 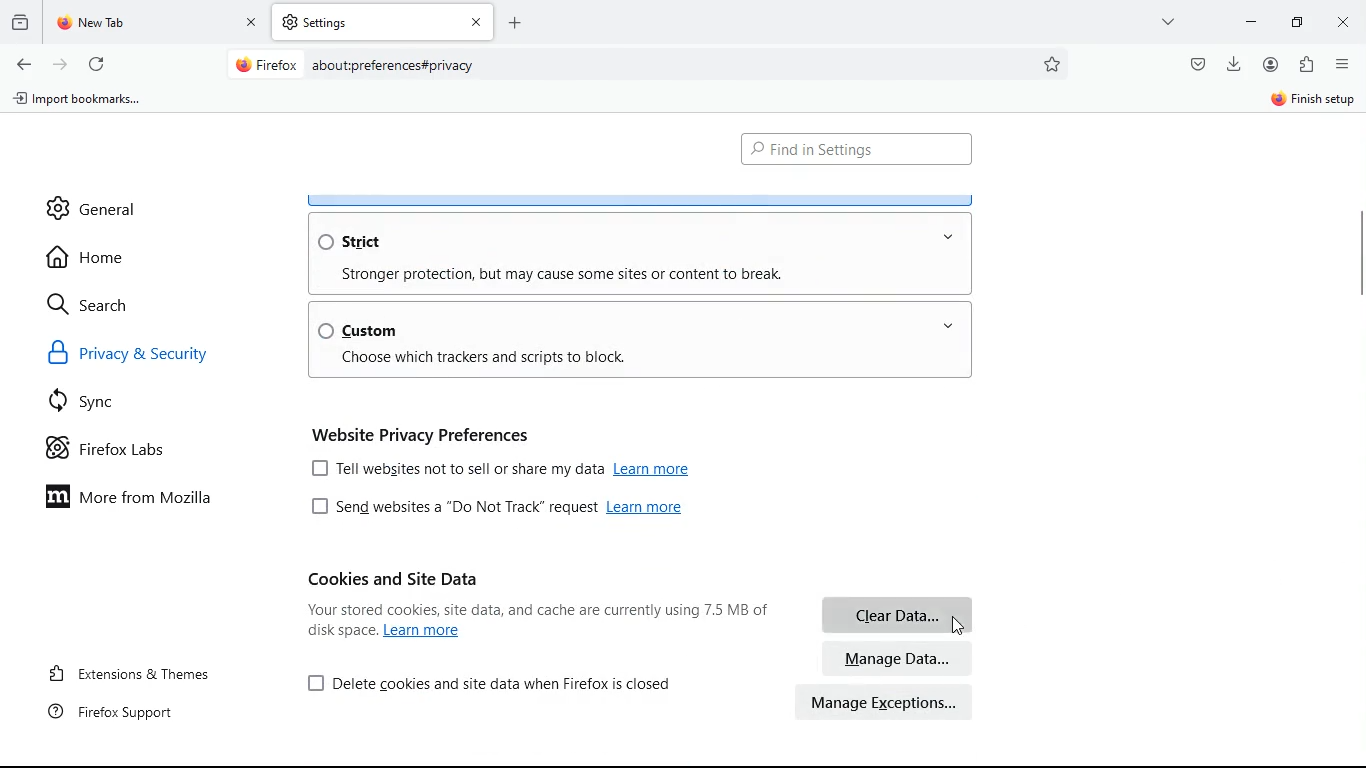 I want to click on strict, so click(x=354, y=242).